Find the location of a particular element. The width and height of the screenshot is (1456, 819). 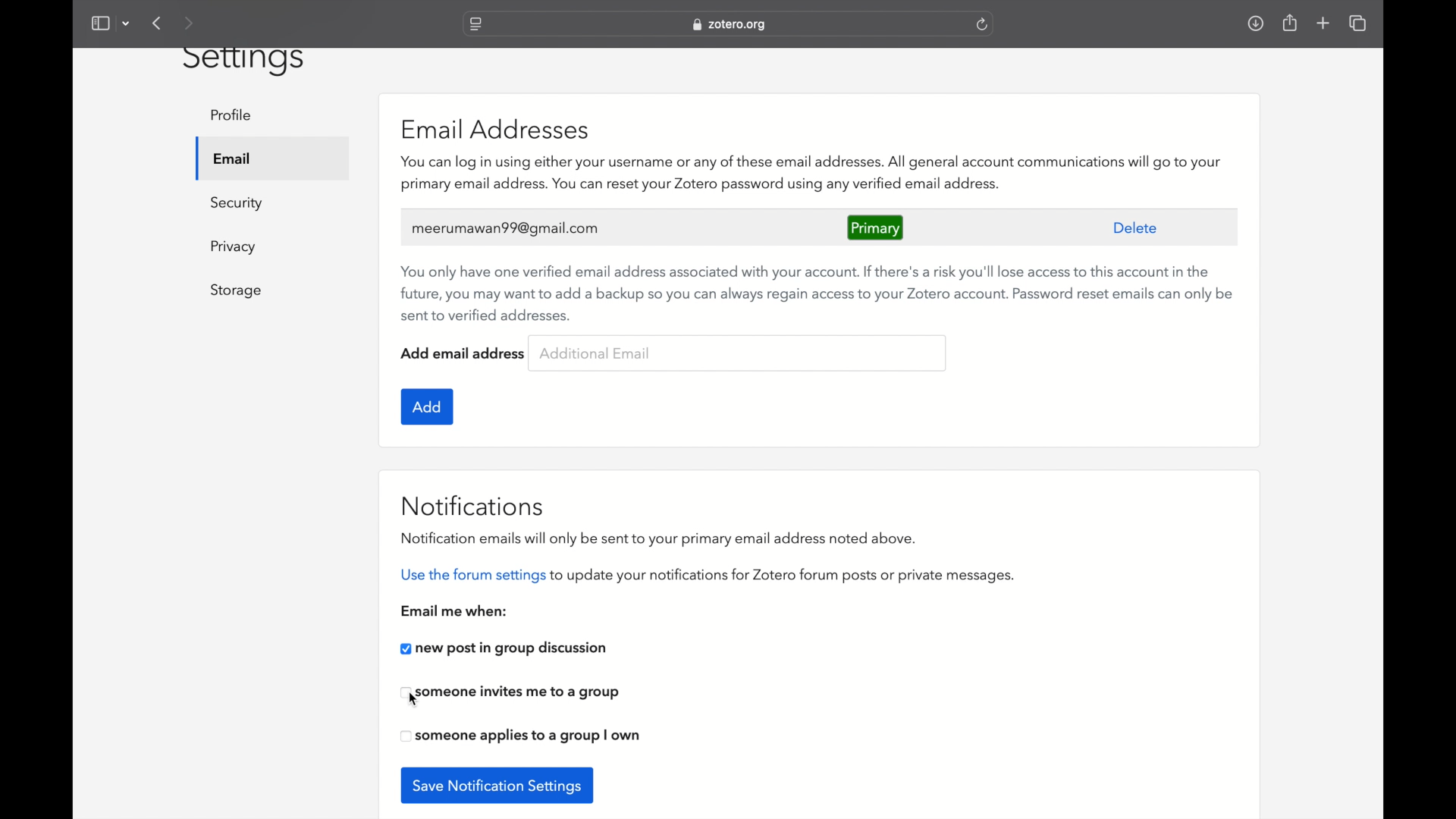

additional email is located at coordinates (593, 353).